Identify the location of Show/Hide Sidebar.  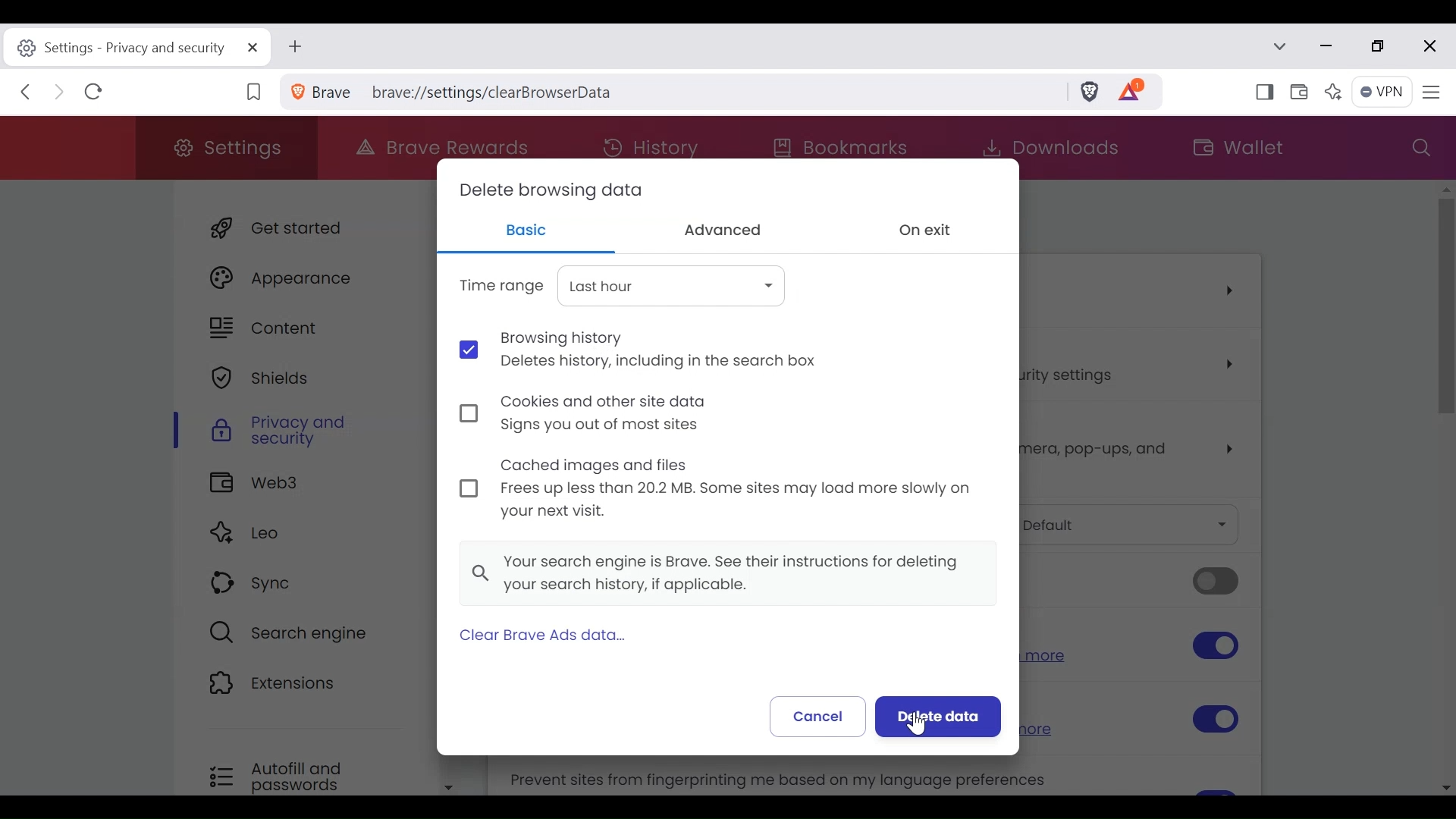
(1263, 94).